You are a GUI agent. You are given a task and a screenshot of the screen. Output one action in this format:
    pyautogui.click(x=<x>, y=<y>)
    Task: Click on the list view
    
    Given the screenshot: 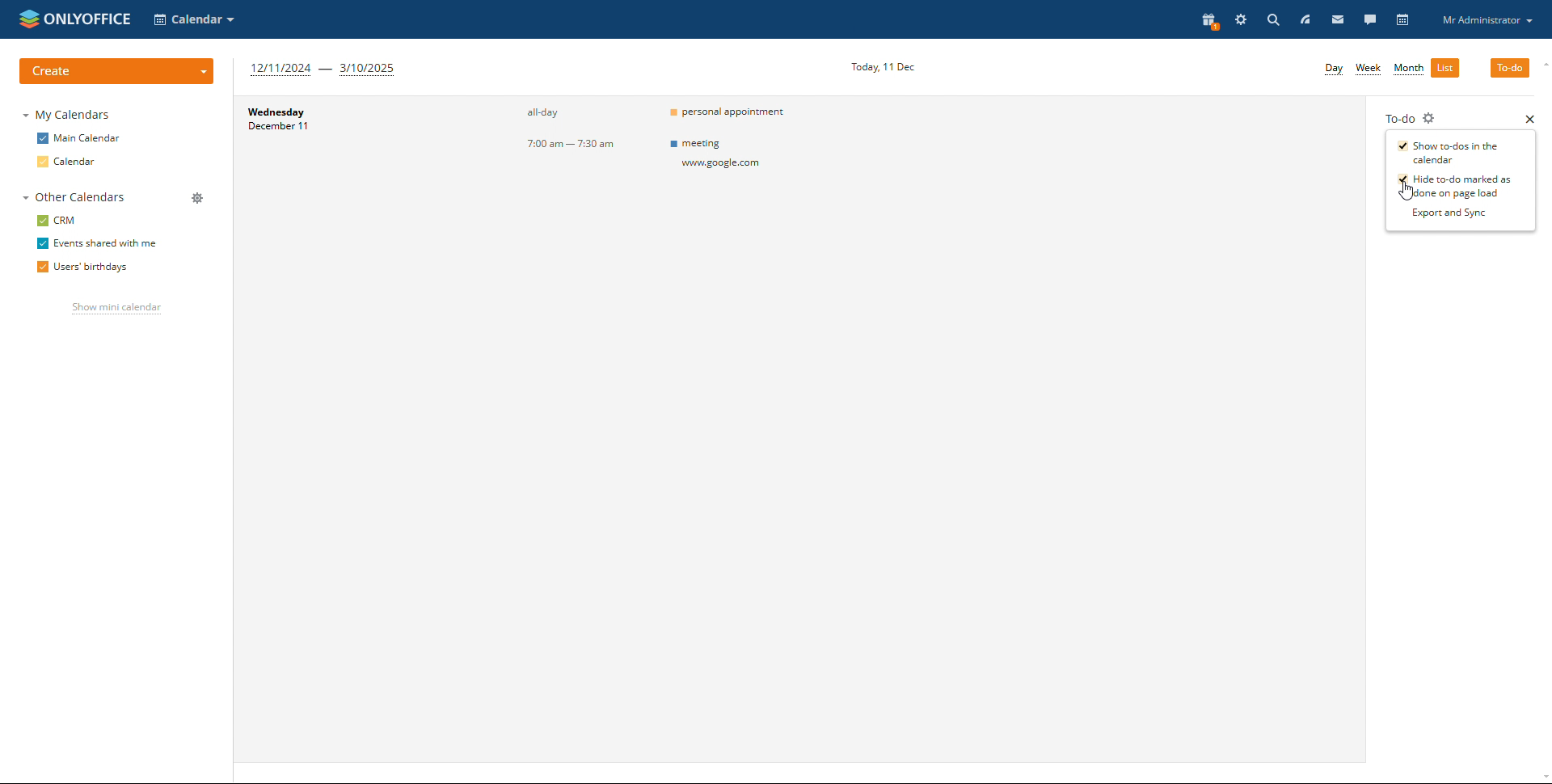 What is the action you would take?
    pyautogui.click(x=1445, y=68)
    